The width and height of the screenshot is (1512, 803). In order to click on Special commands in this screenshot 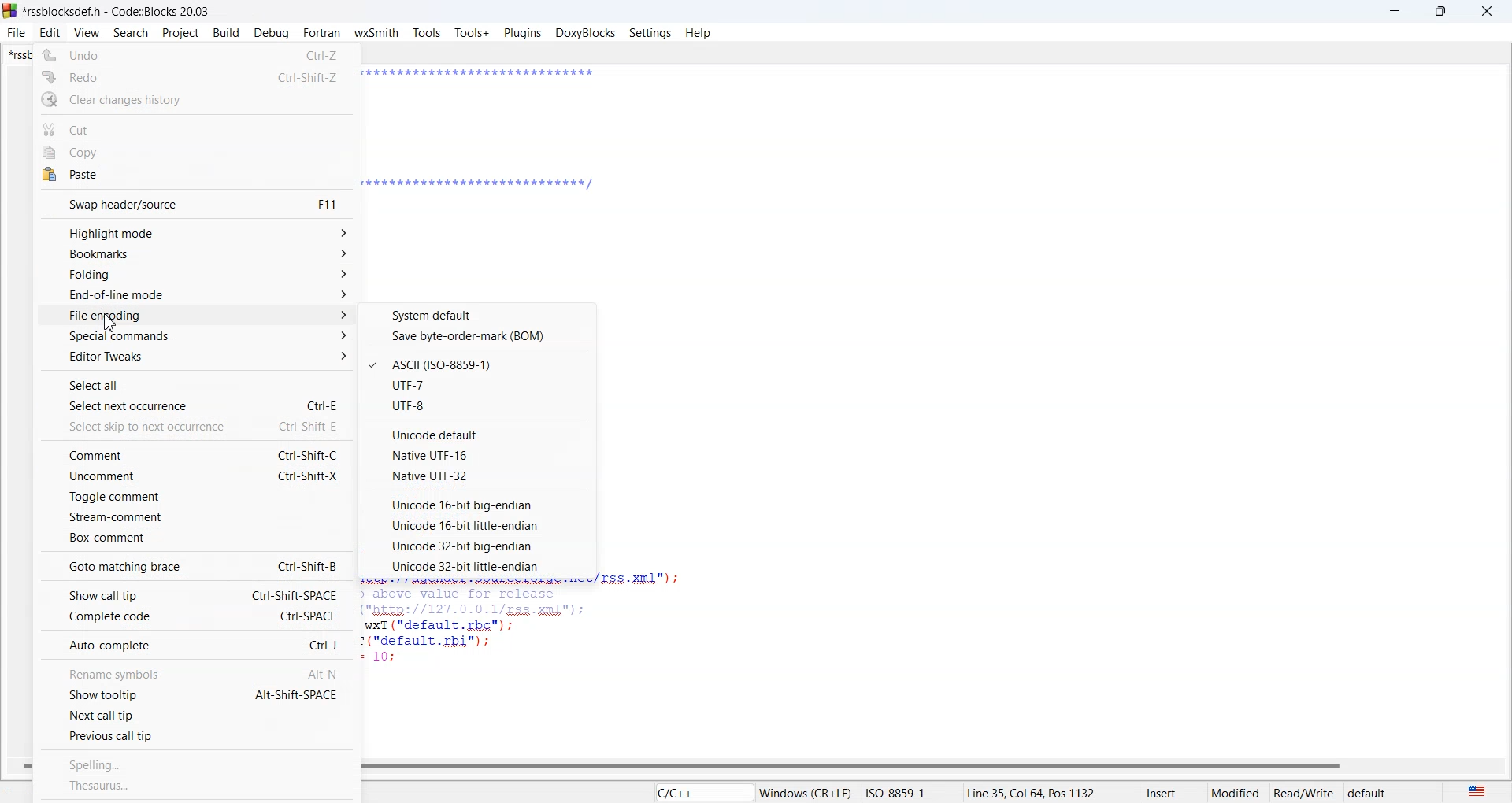, I will do `click(198, 336)`.